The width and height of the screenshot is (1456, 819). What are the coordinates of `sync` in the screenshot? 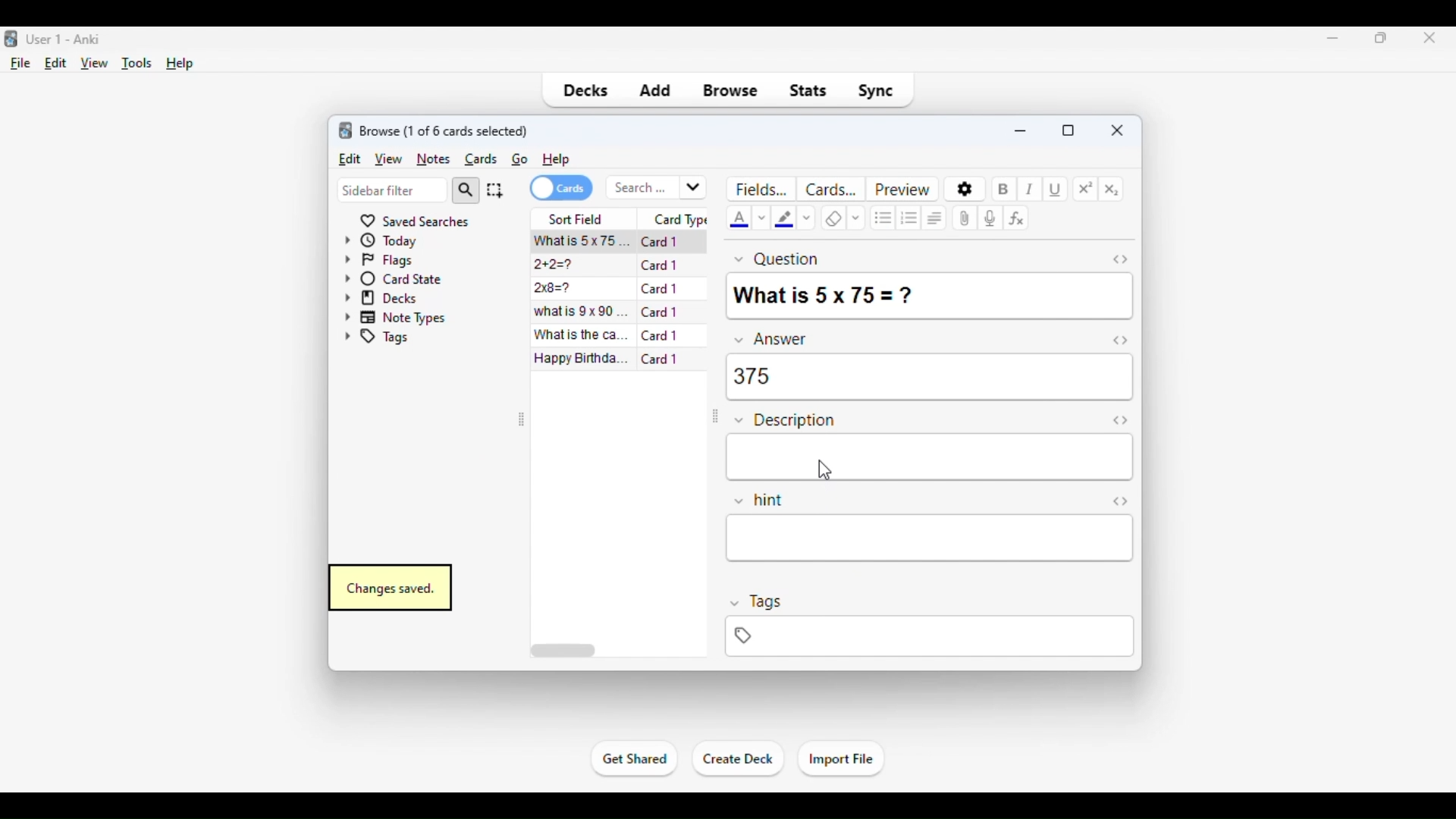 It's located at (875, 91).